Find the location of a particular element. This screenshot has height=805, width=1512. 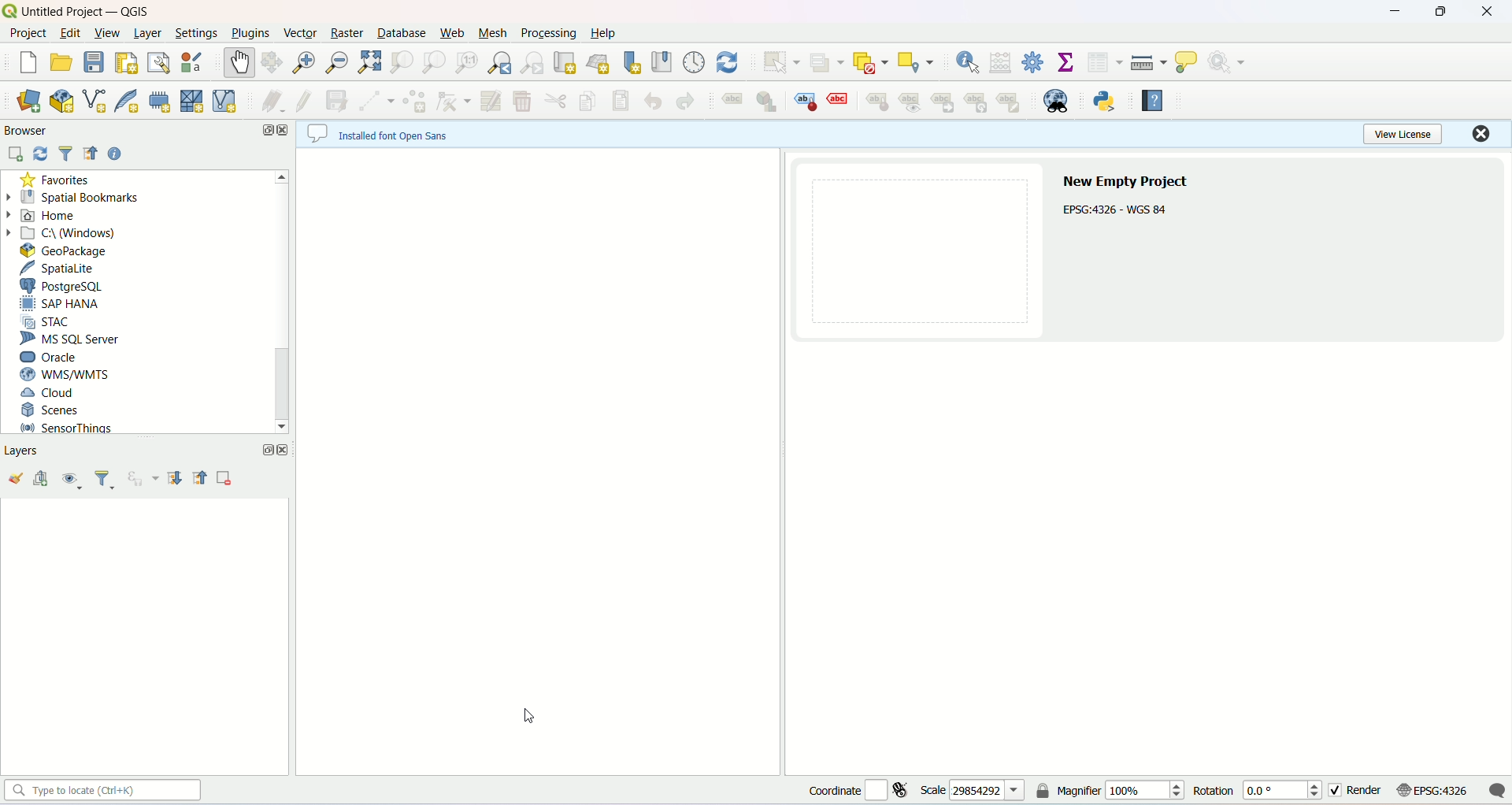

zoom to native resolution is located at coordinates (469, 64).